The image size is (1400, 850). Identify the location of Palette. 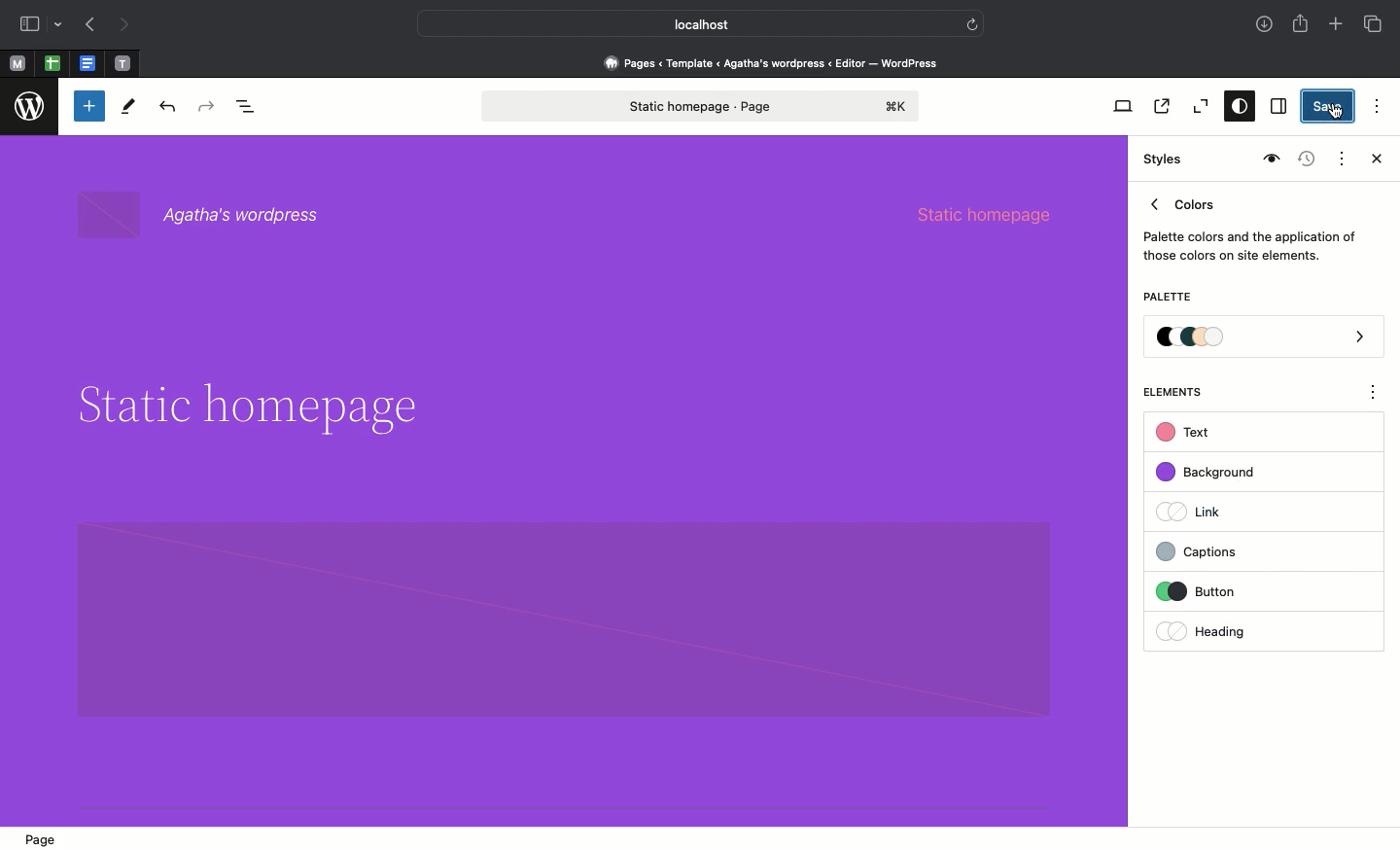
(1265, 338).